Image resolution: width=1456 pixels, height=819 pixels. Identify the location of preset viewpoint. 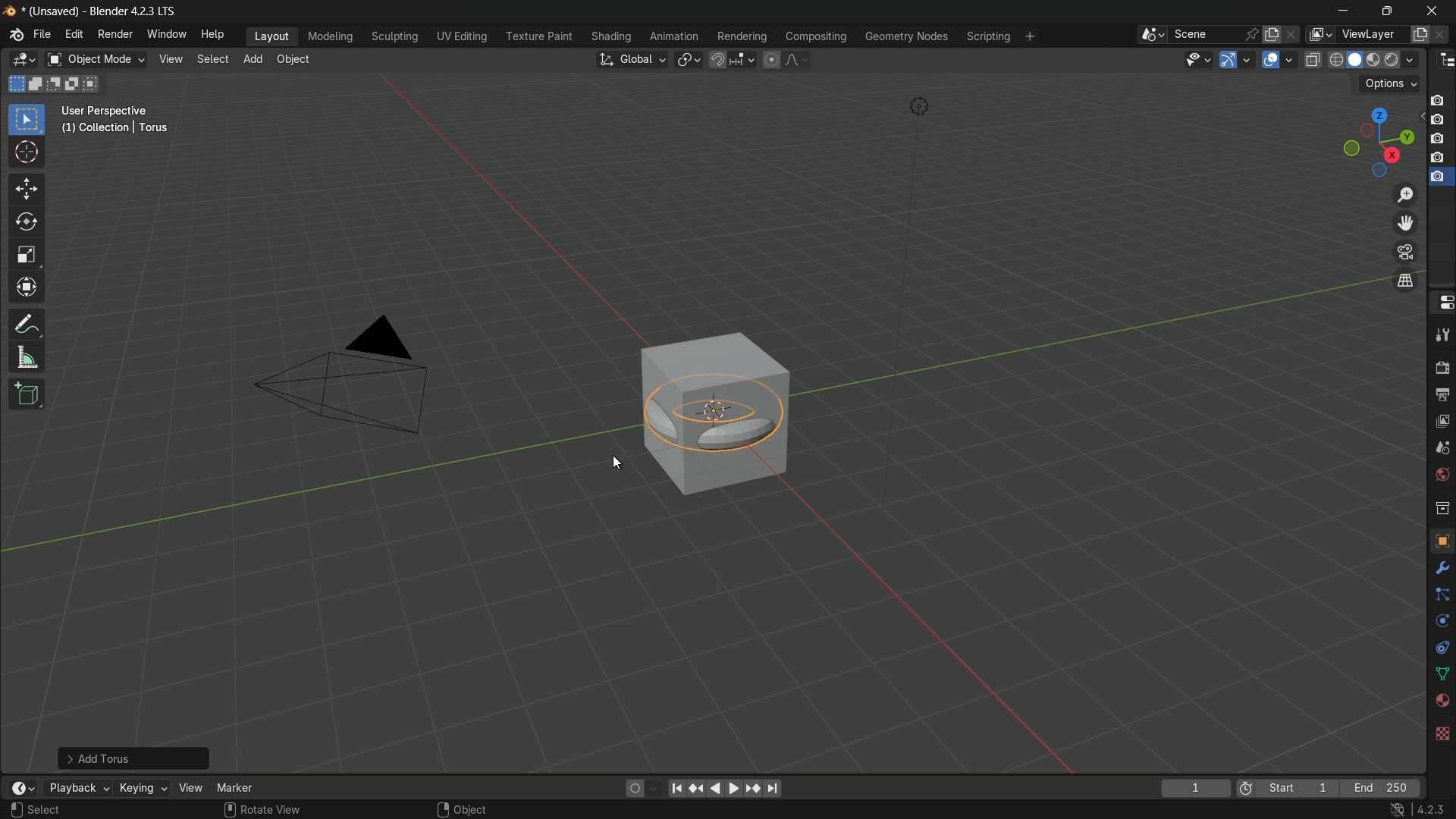
(1378, 143).